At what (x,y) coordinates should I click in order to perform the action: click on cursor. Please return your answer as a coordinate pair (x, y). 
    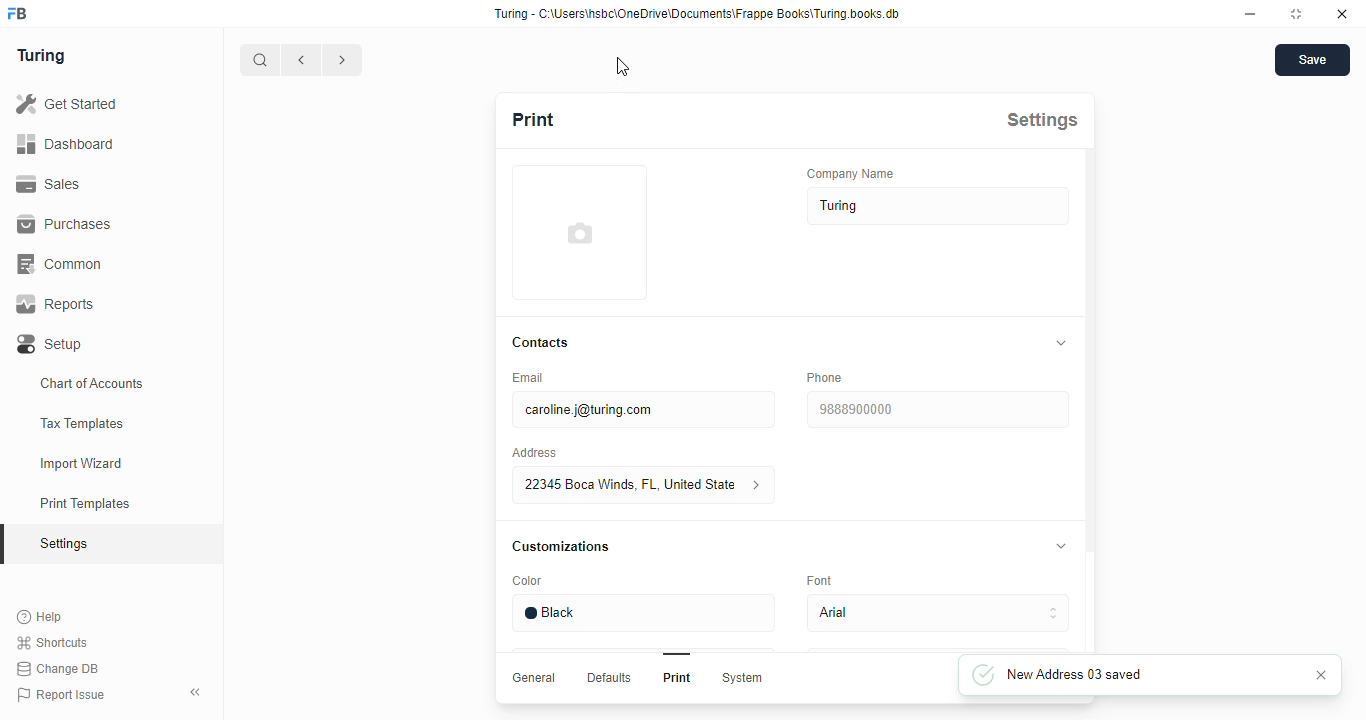
    Looking at the image, I should click on (623, 67).